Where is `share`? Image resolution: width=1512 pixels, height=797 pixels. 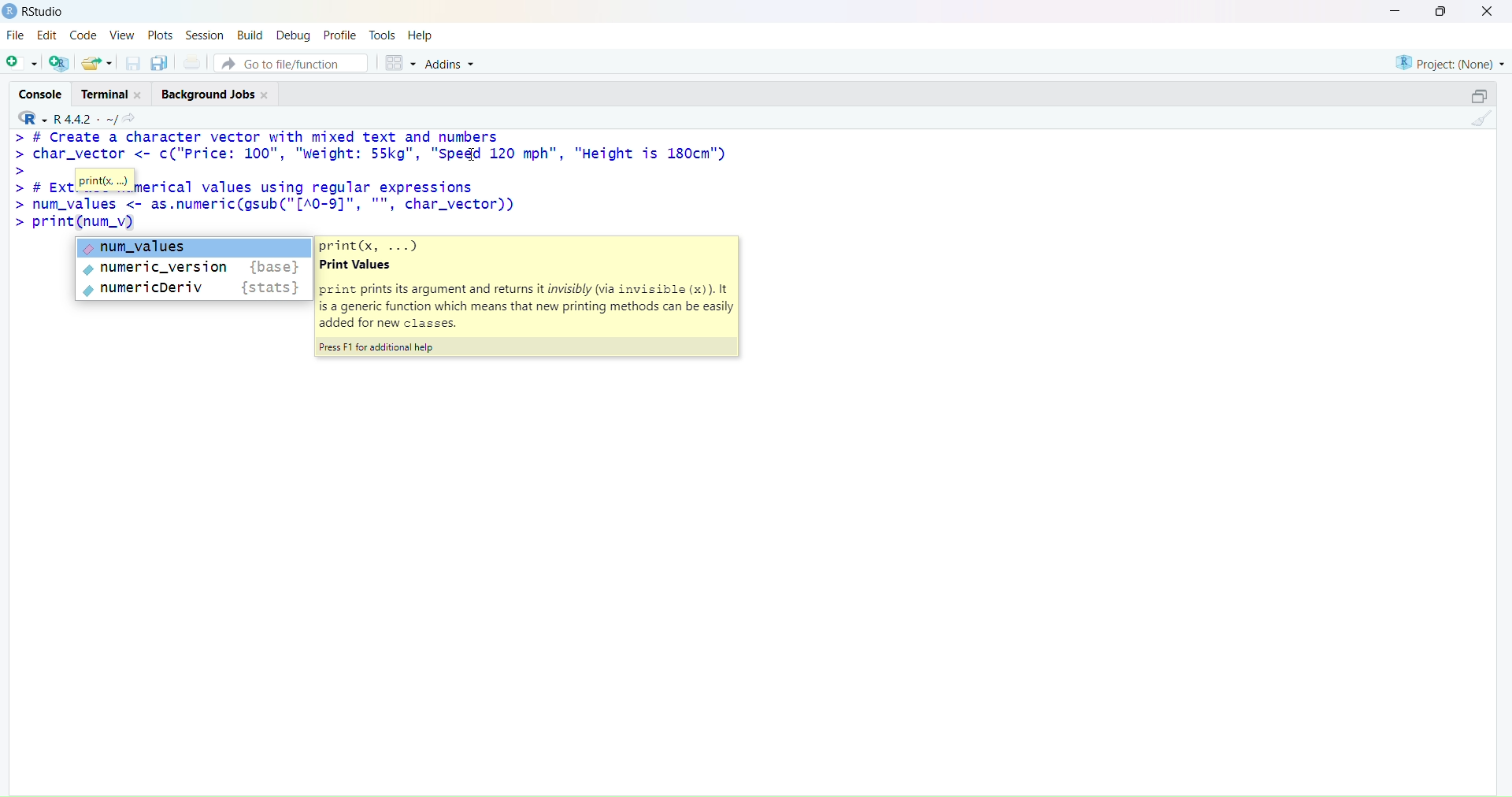
share is located at coordinates (129, 120).